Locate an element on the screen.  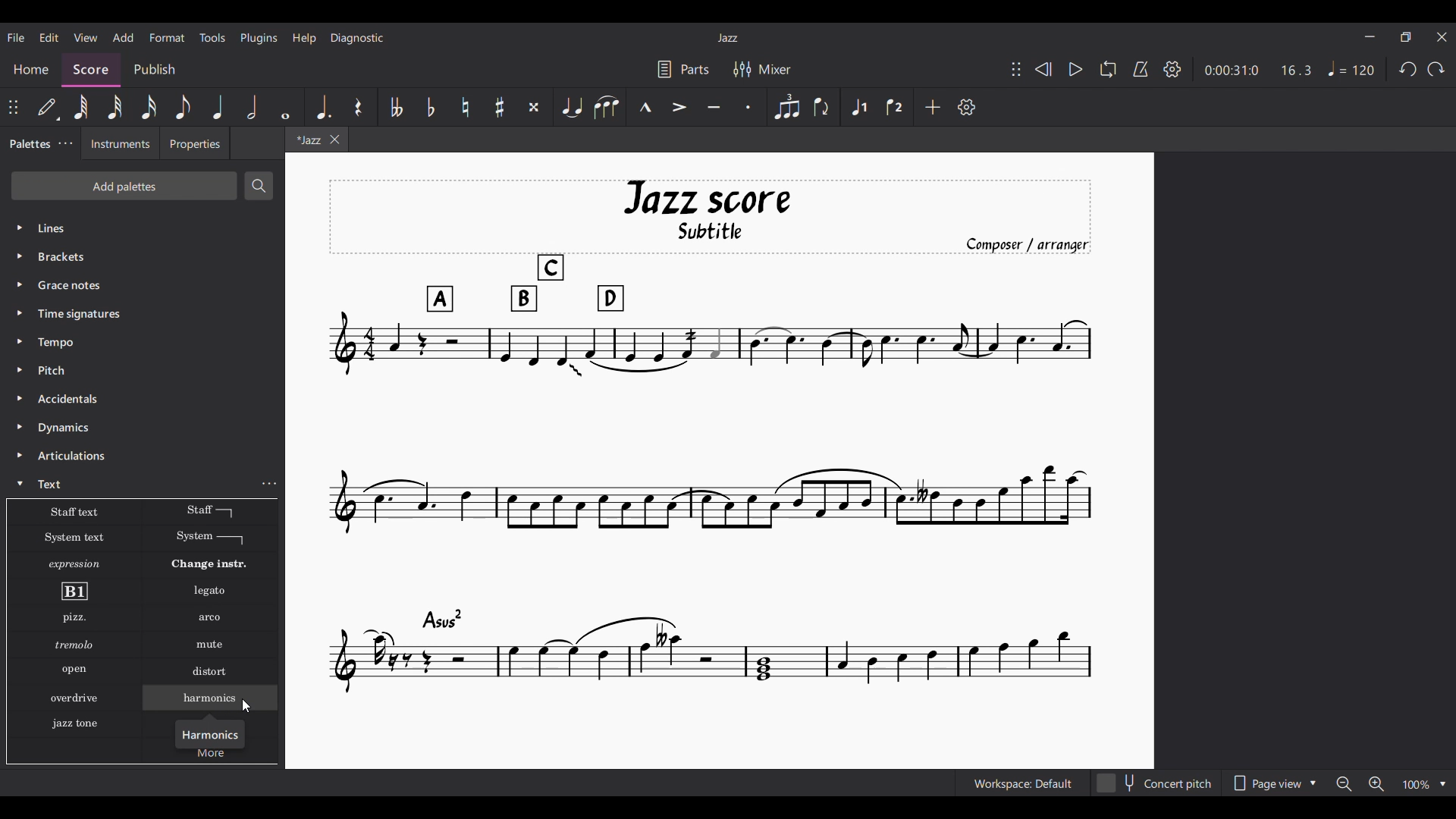
distort is located at coordinates (209, 671).